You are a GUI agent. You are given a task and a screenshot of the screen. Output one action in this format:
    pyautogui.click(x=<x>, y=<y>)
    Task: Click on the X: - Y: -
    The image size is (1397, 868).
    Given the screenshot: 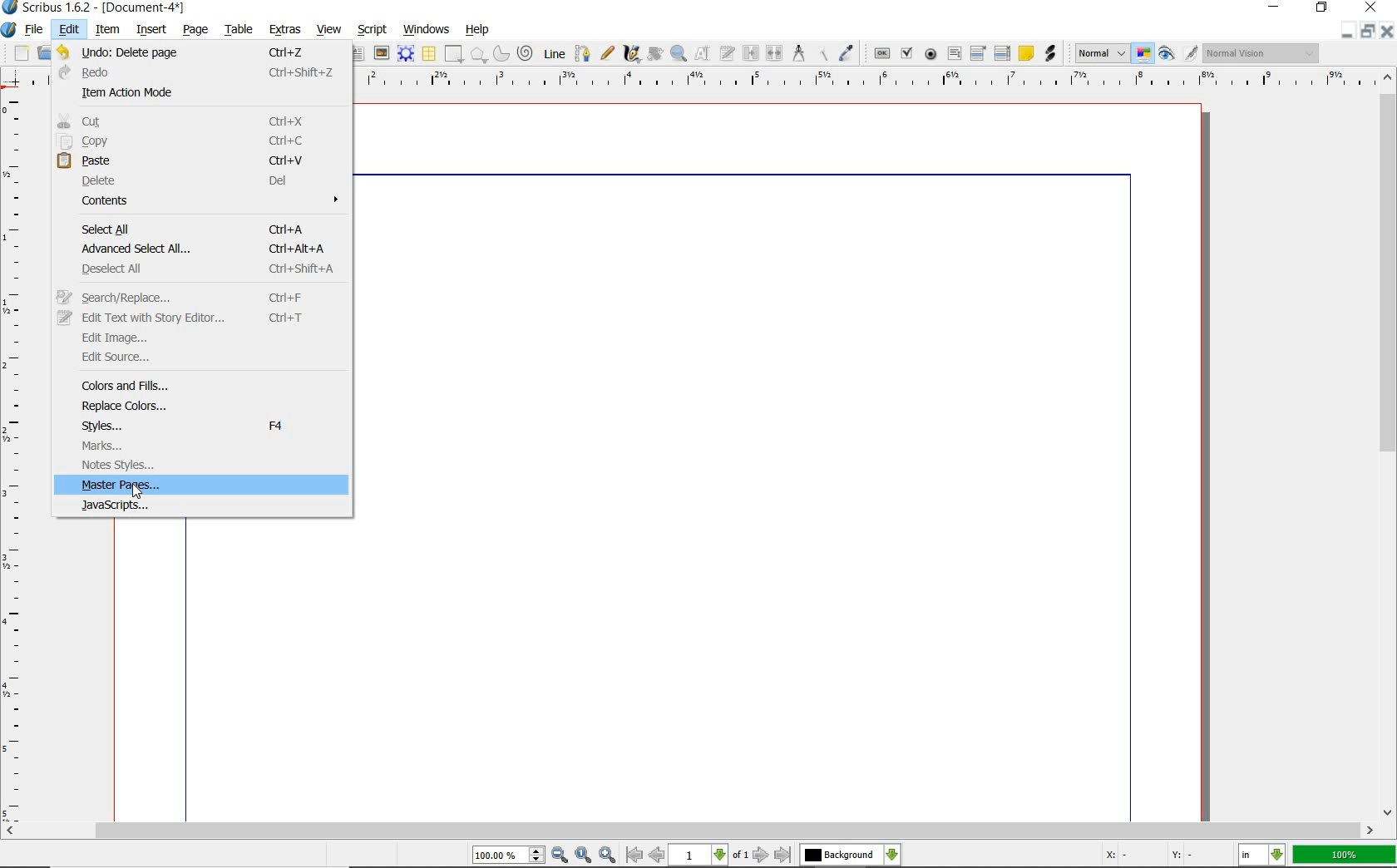 What is the action you would take?
    pyautogui.click(x=1148, y=856)
    